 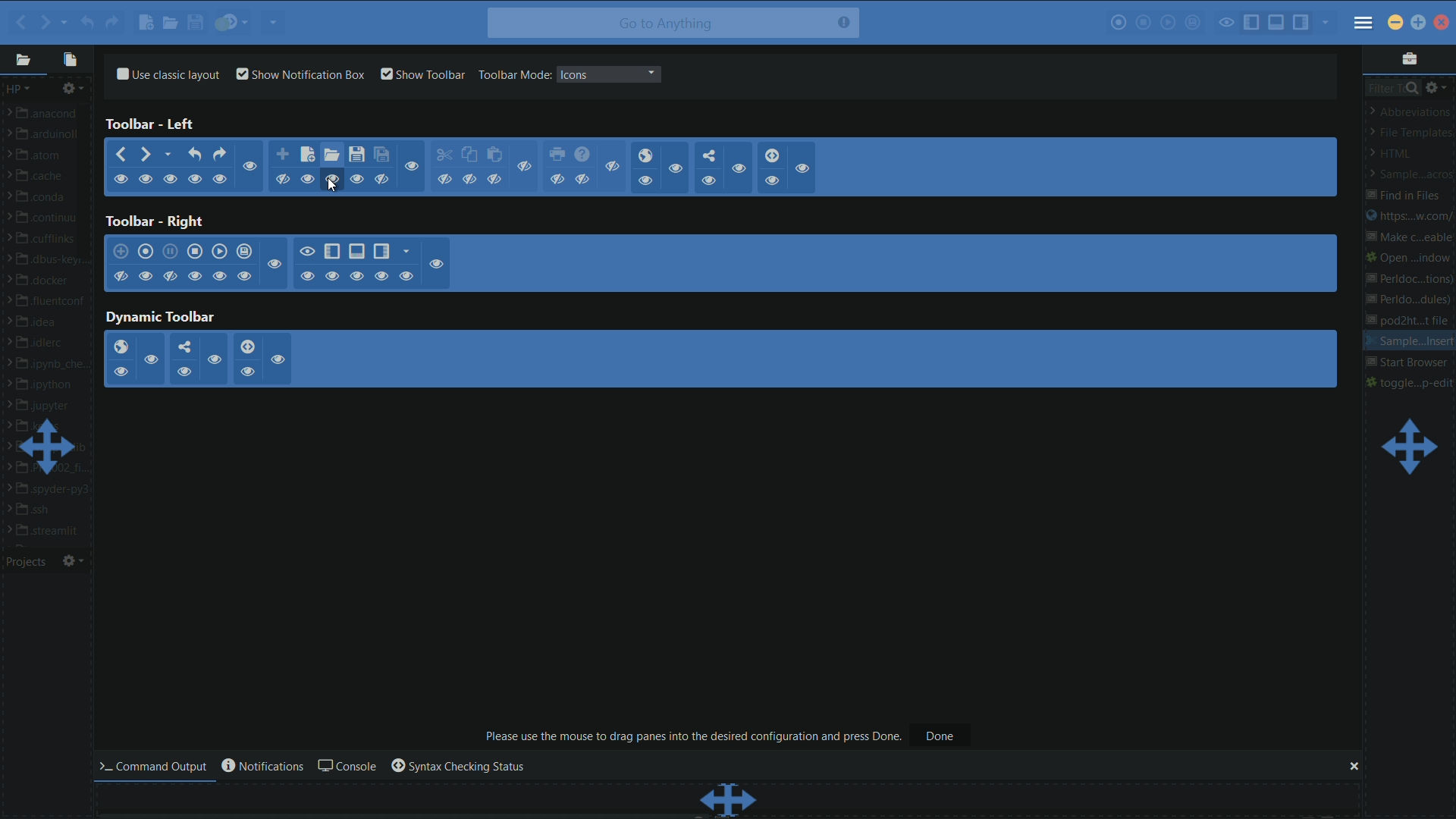 I want to click on Please use the mouse to drag panes into the desired configuration and press Done., so click(x=694, y=736).